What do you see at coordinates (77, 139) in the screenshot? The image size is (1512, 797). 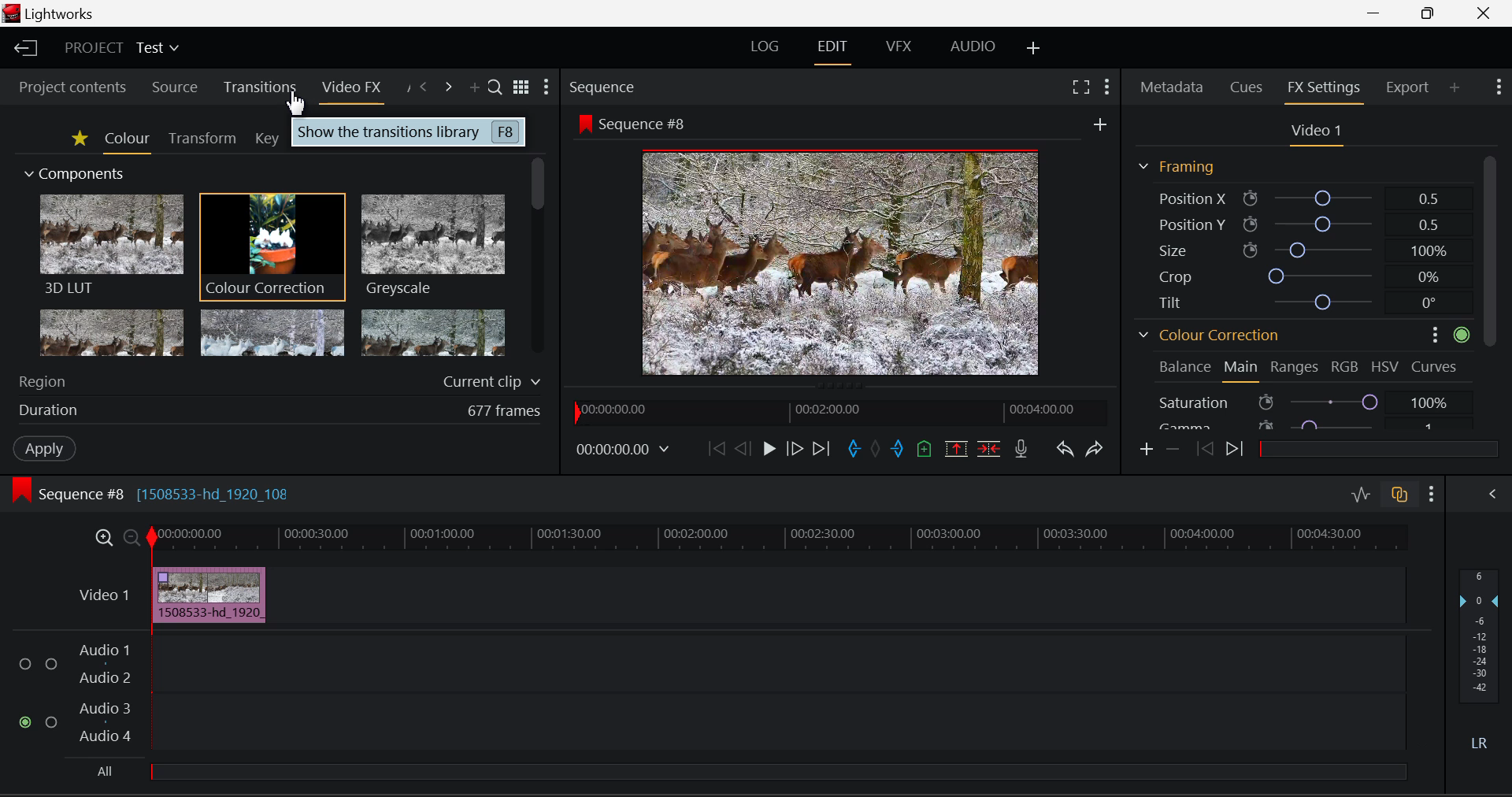 I see `Favorites` at bounding box center [77, 139].